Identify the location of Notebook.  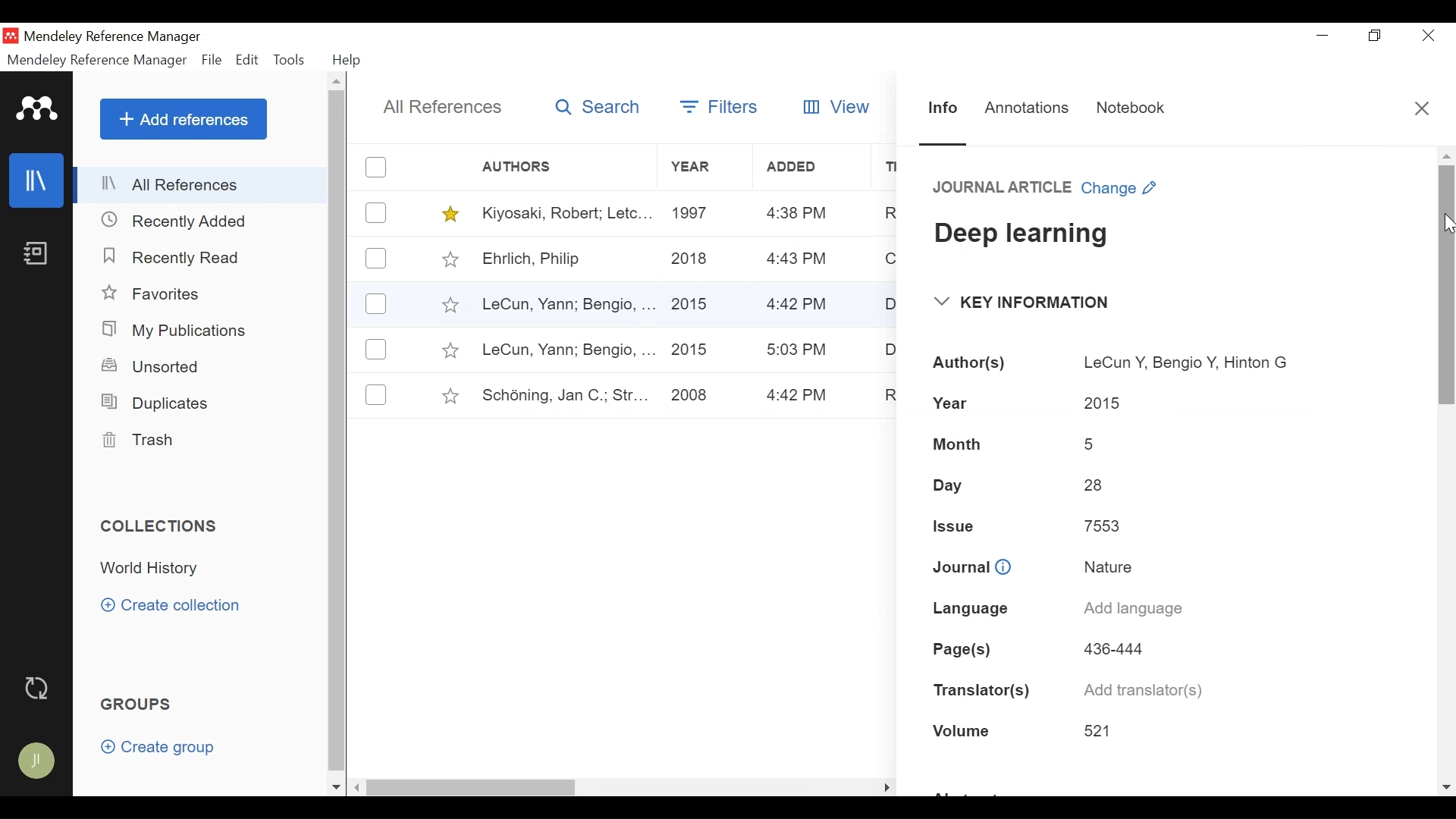
(35, 255).